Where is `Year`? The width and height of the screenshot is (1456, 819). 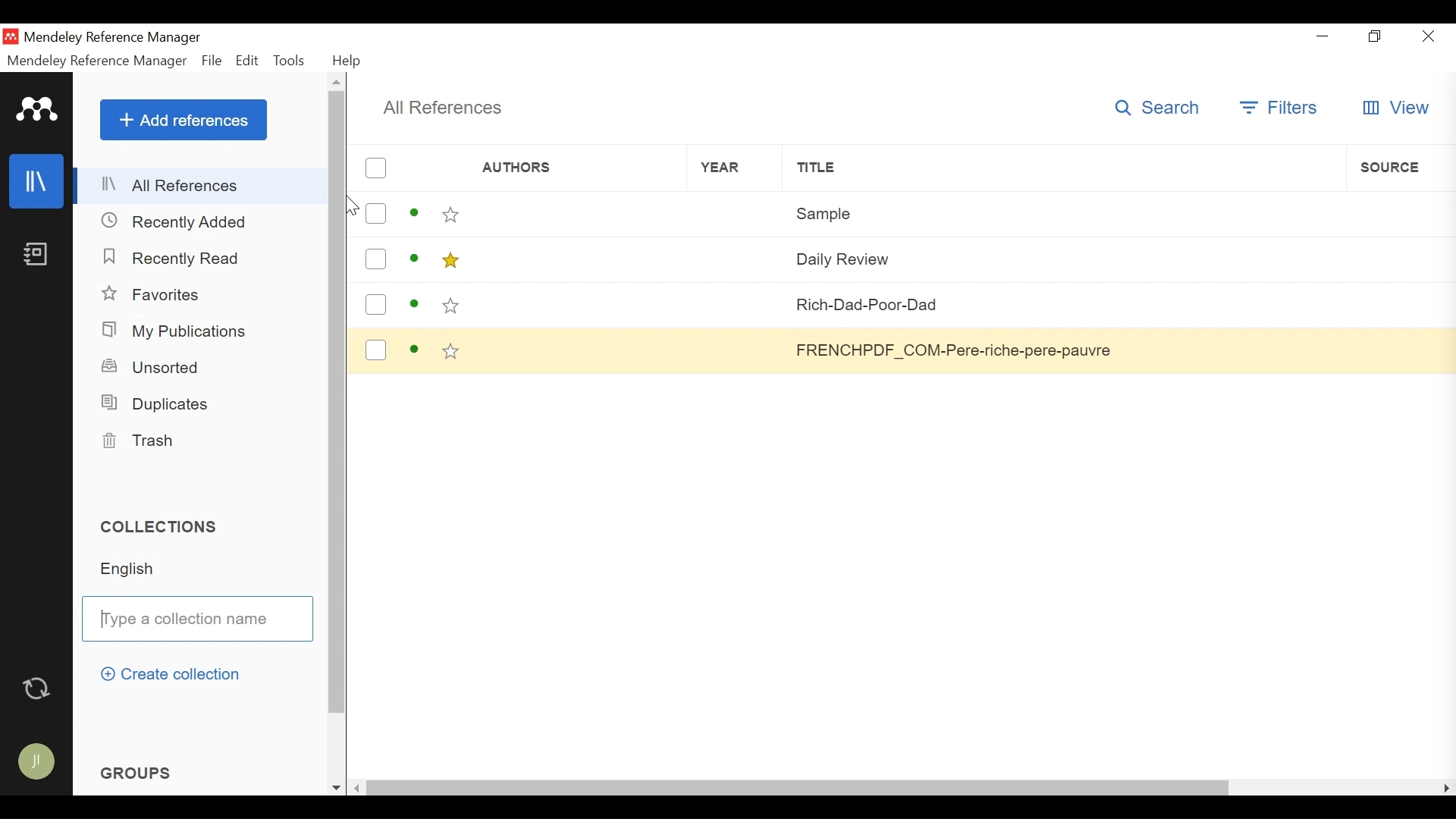 Year is located at coordinates (736, 258).